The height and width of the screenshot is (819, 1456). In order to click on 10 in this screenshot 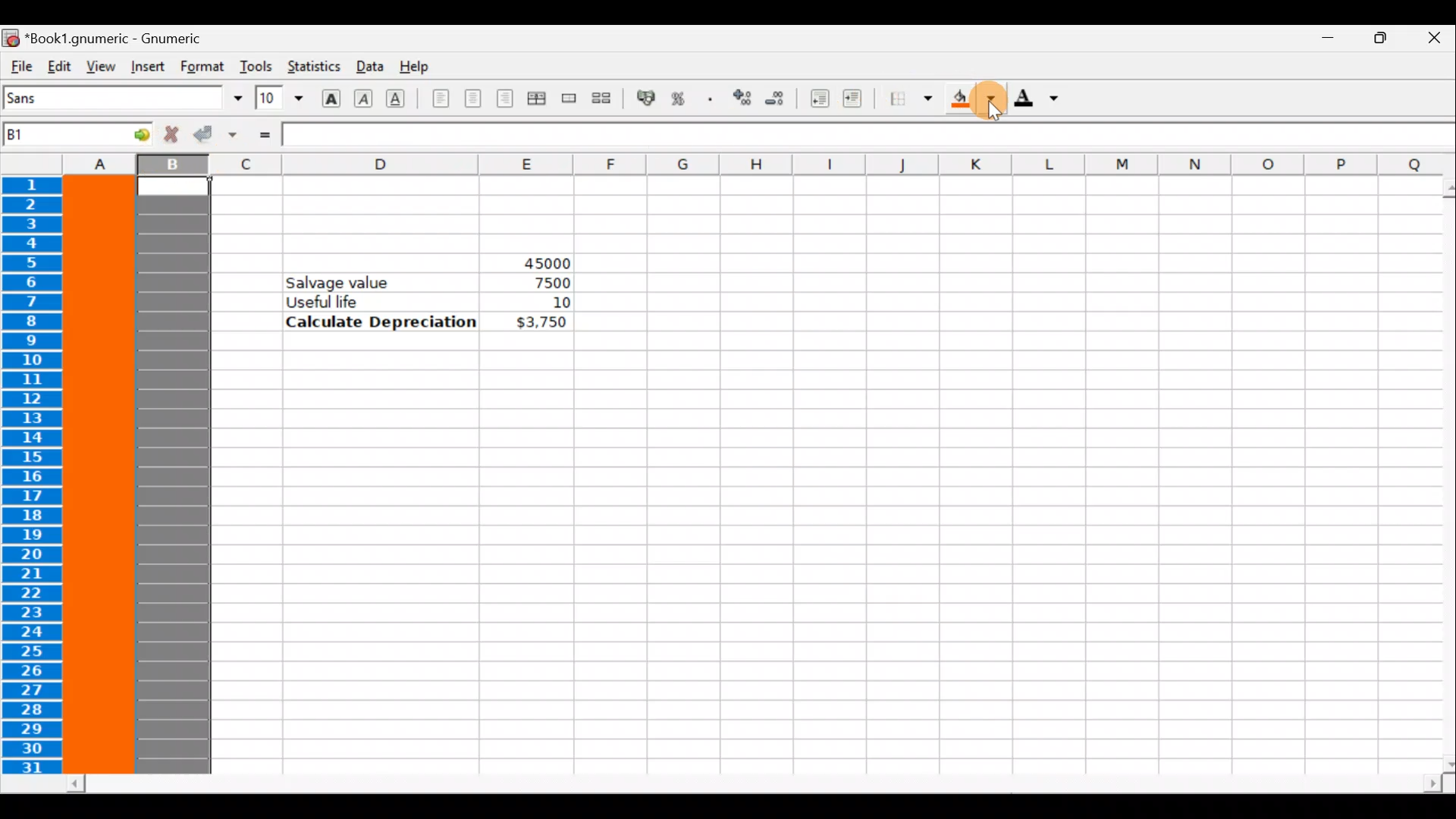, I will do `click(541, 303)`.